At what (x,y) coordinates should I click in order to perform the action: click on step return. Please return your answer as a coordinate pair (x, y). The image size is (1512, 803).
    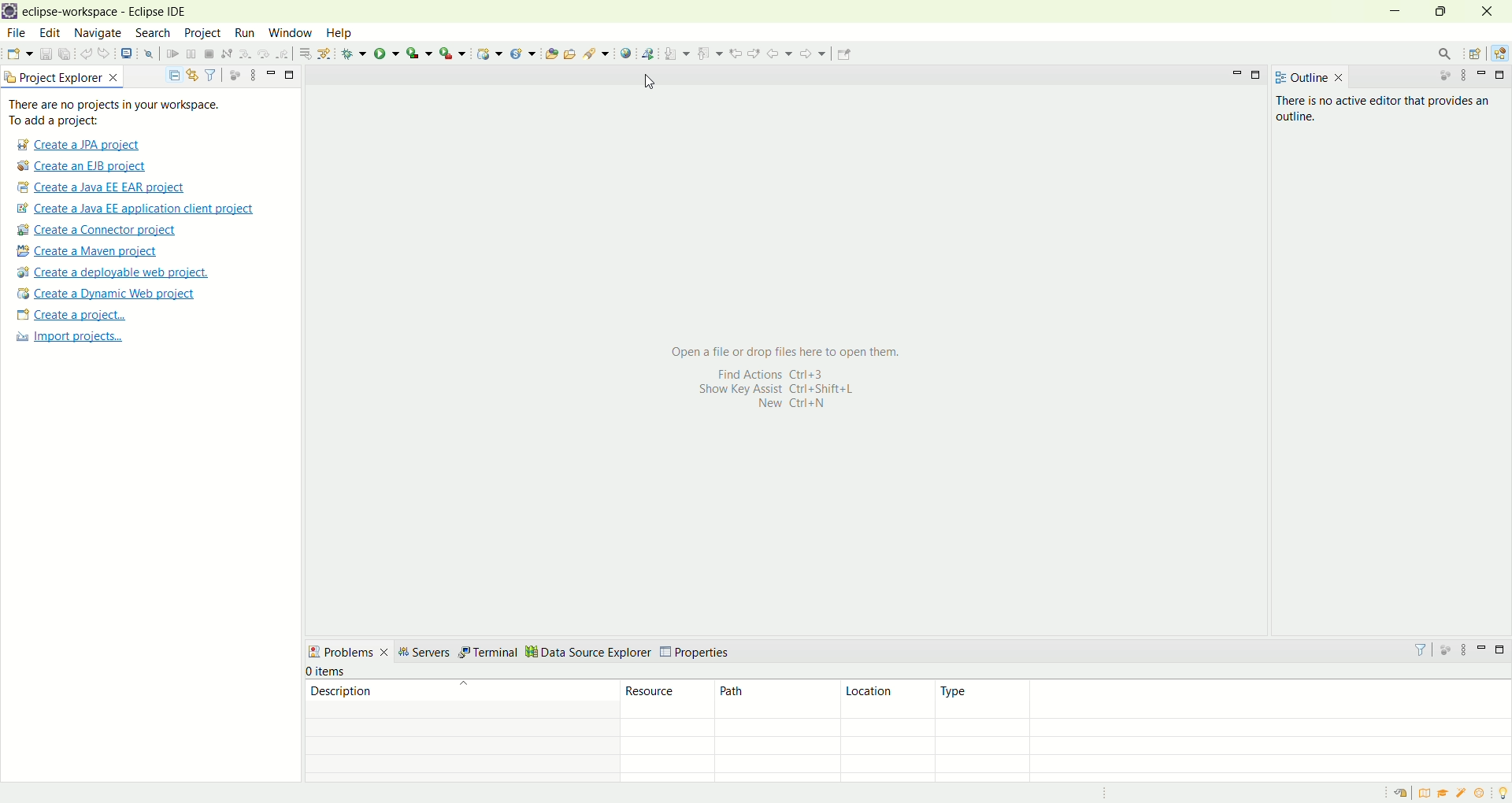
    Looking at the image, I should click on (285, 52).